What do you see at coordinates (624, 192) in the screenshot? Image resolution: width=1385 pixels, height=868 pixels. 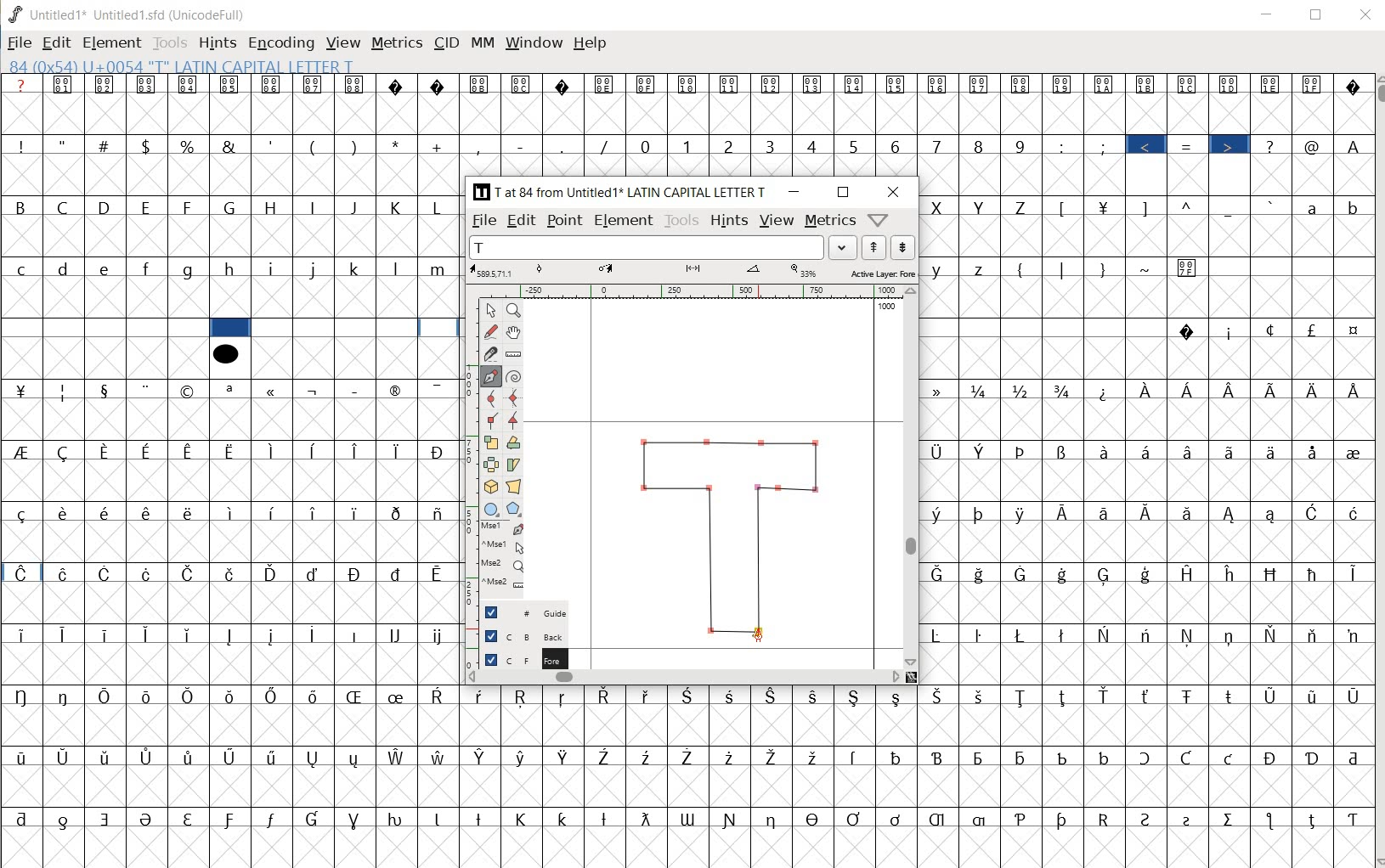 I see `[T] 7 at 84 from Untitled 1* LATIN CAPITAL LETTER T` at bounding box center [624, 192].